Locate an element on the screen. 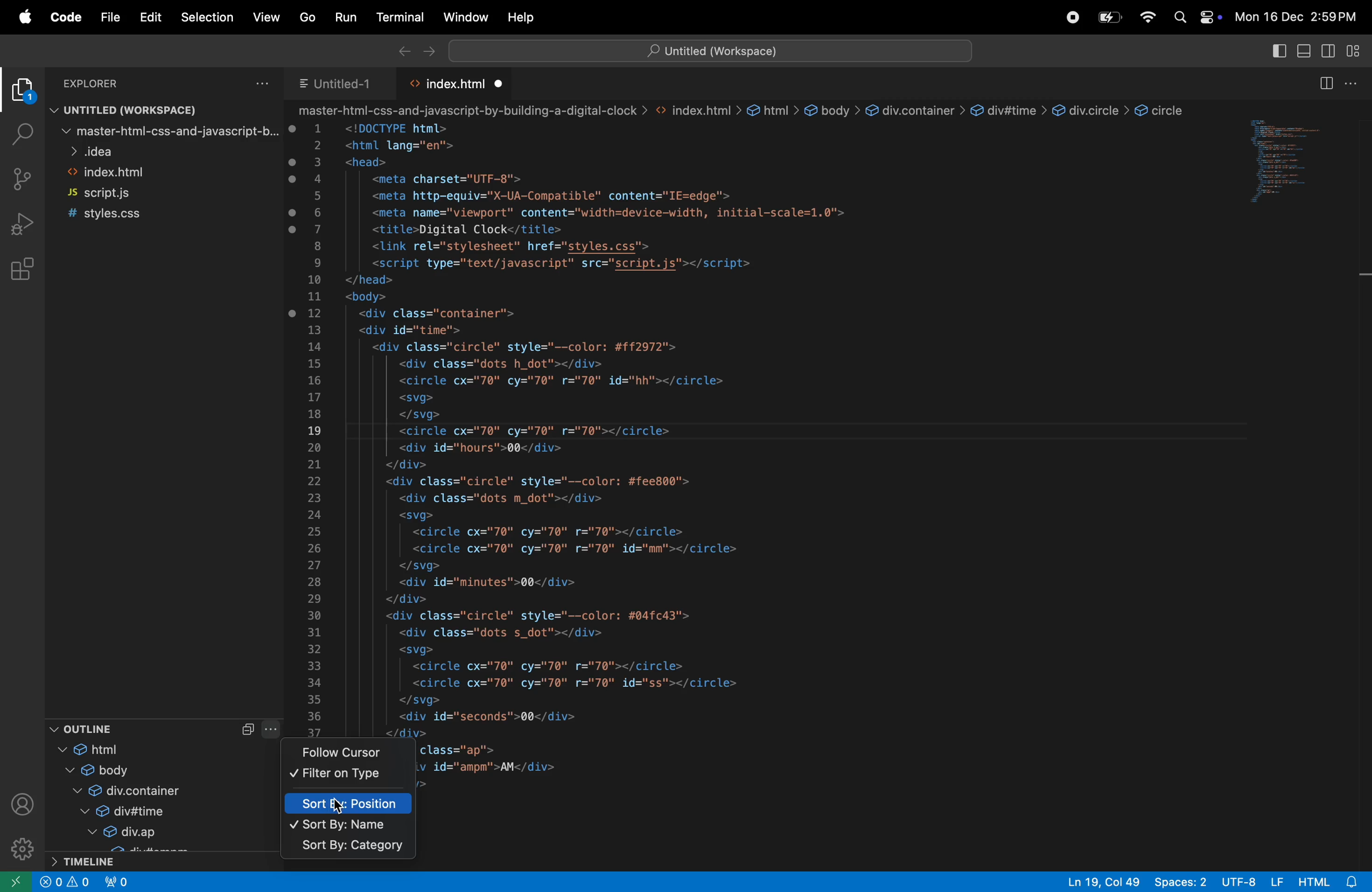 This screenshot has width=1372, height=892. follow cursor is located at coordinates (355, 751).